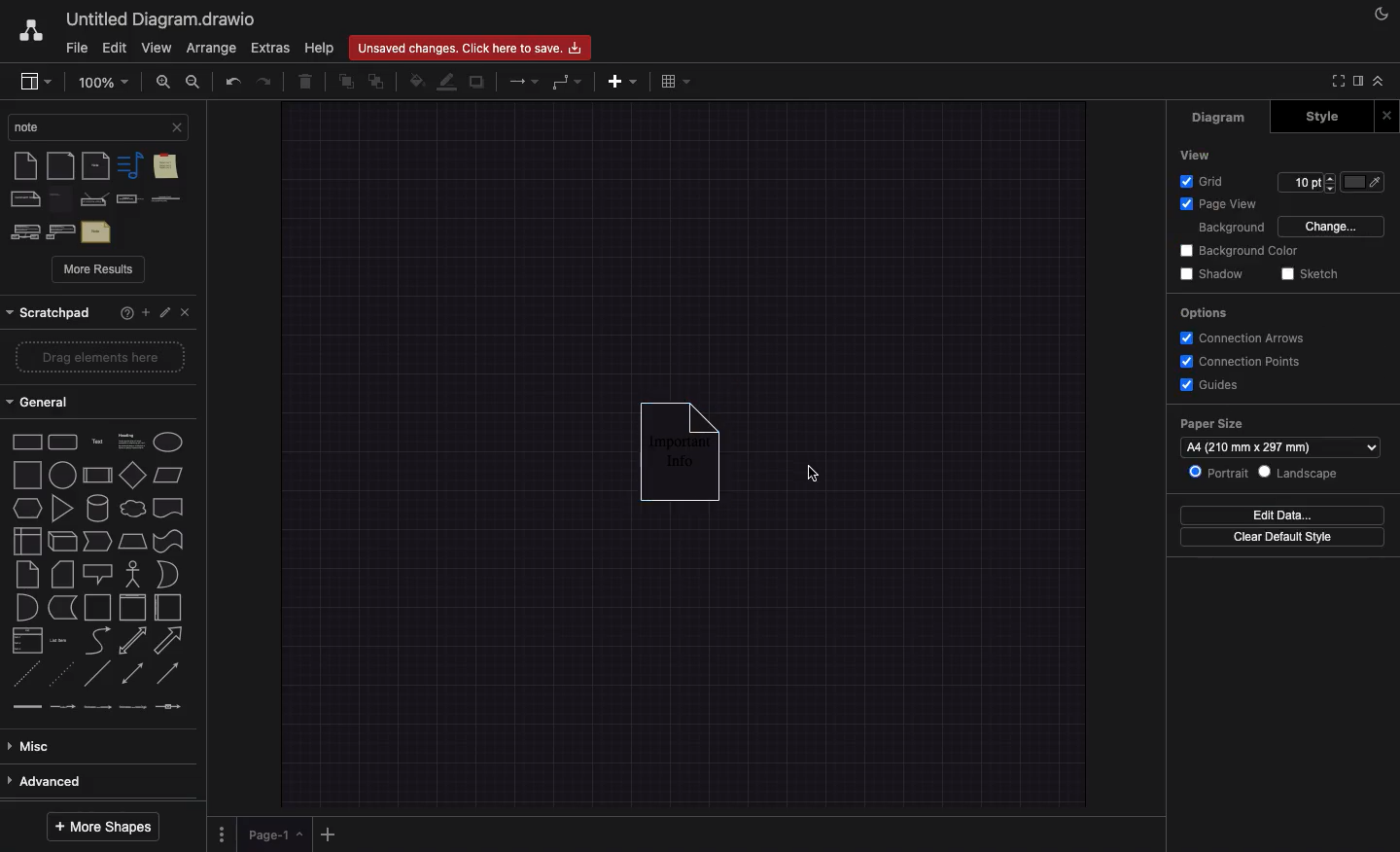 Image resolution: width=1400 pixels, height=852 pixels. I want to click on general, so click(91, 399).